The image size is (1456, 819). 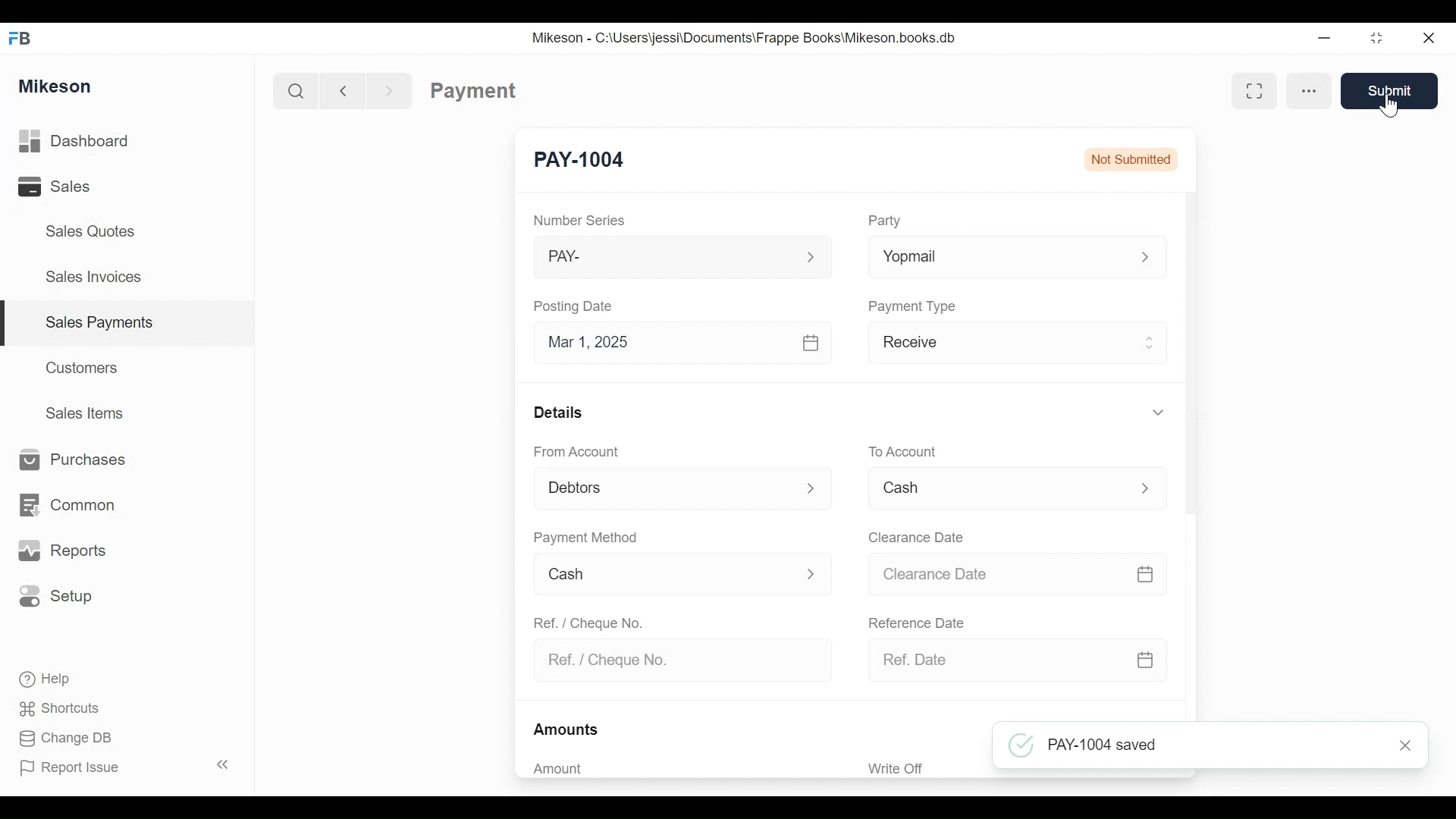 What do you see at coordinates (83, 231) in the screenshot?
I see `Sales Quotes` at bounding box center [83, 231].